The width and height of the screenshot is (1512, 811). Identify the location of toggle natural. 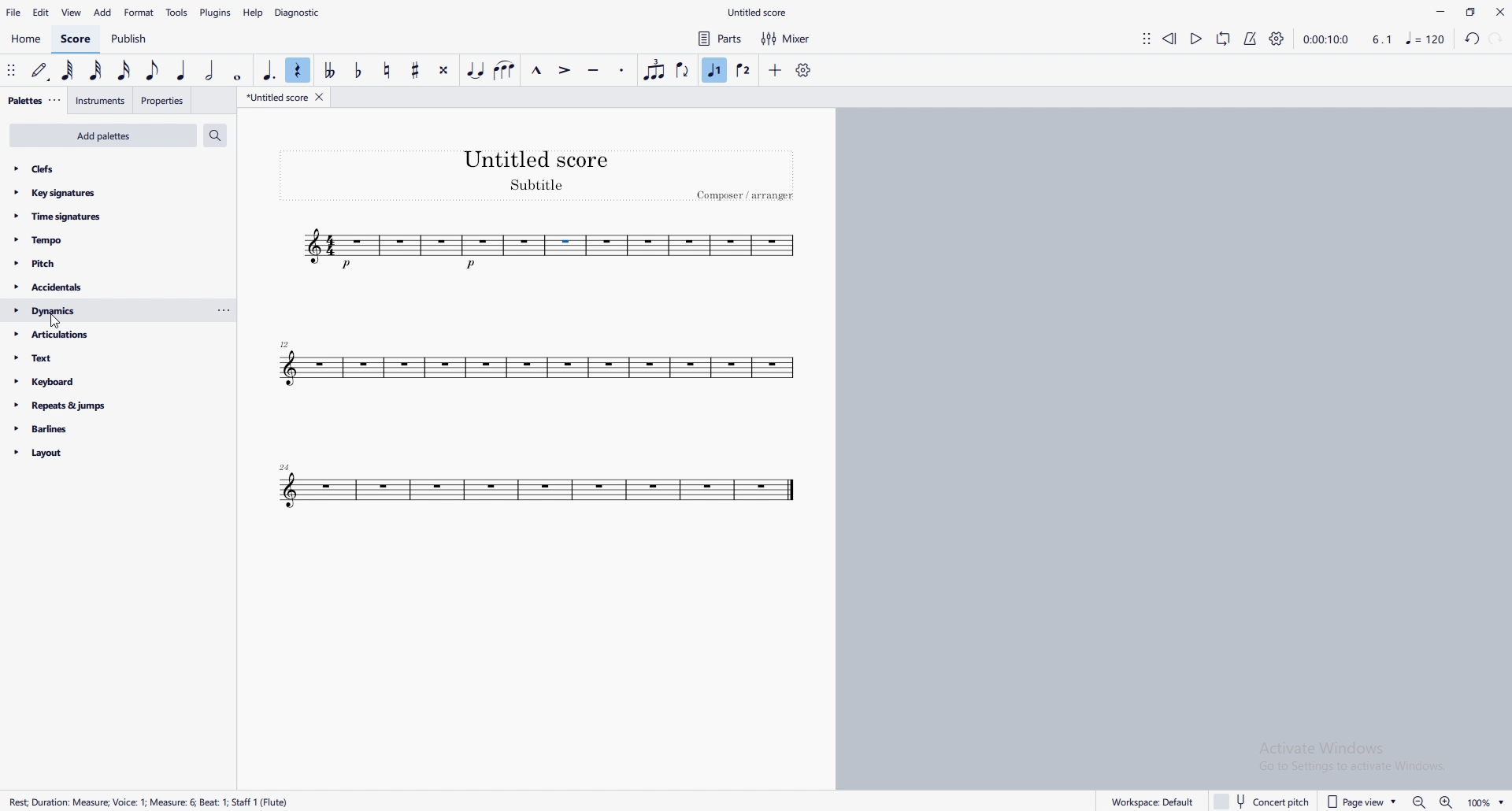
(387, 69).